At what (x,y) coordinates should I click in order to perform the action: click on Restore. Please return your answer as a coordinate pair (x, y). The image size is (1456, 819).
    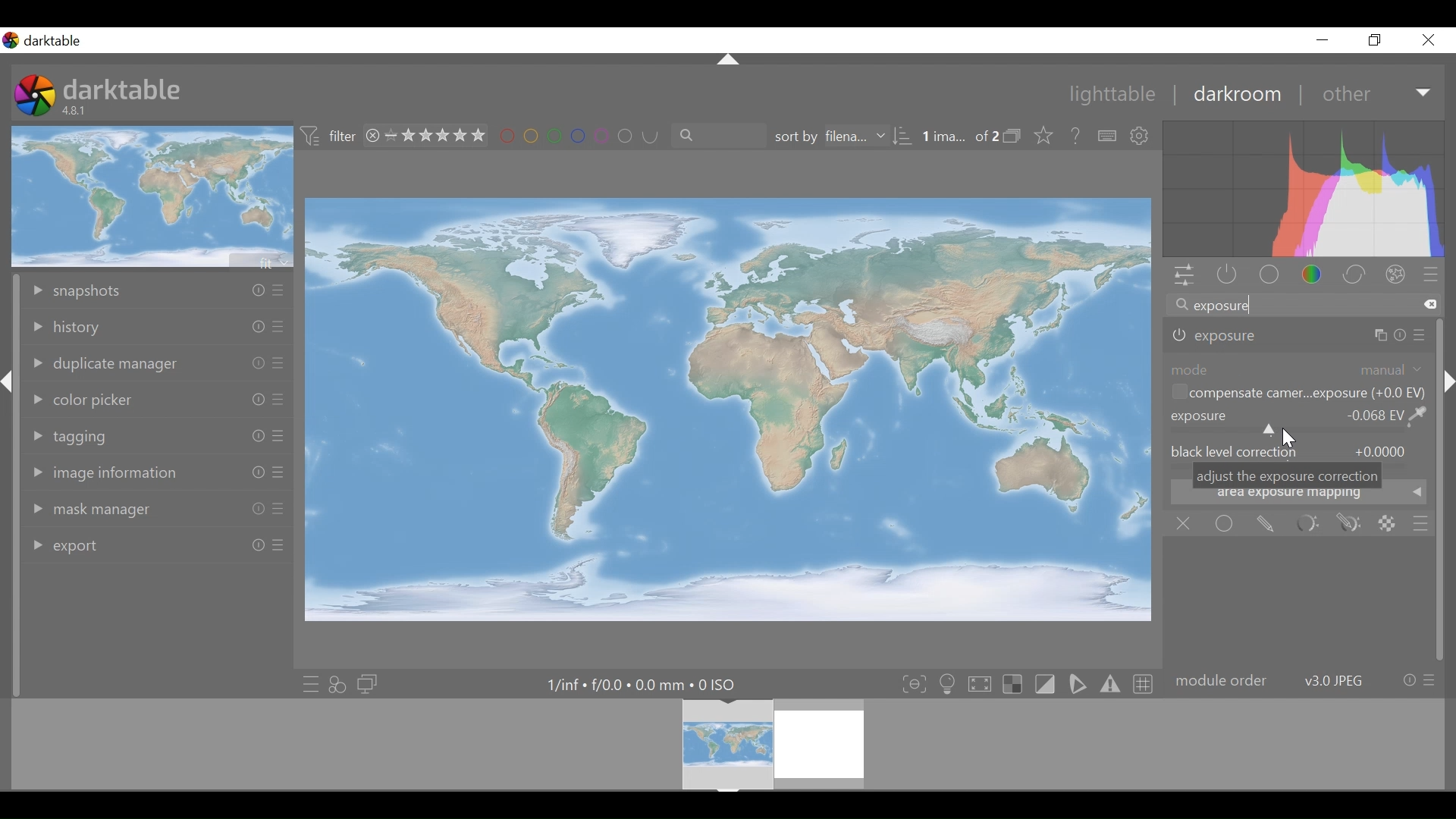
    Looking at the image, I should click on (1379, 39).